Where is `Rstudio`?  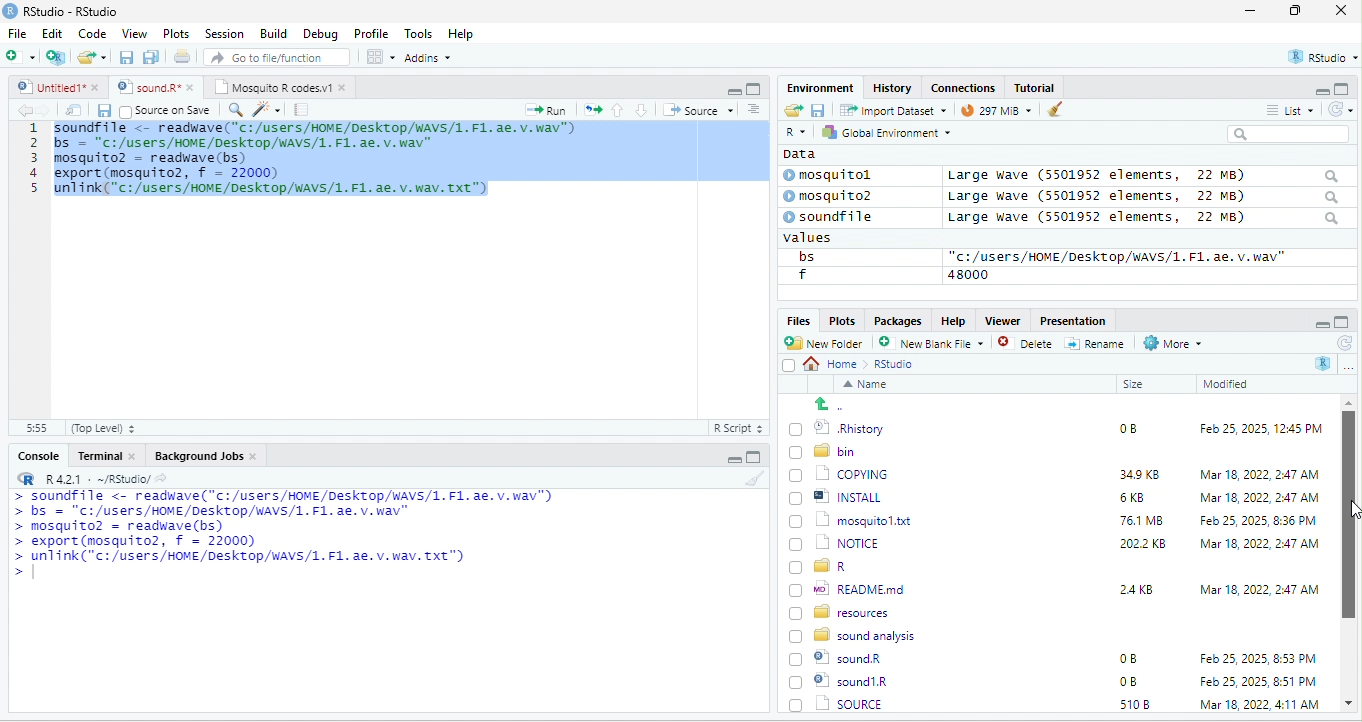
Rstudio is located at coordinates (895, 364).